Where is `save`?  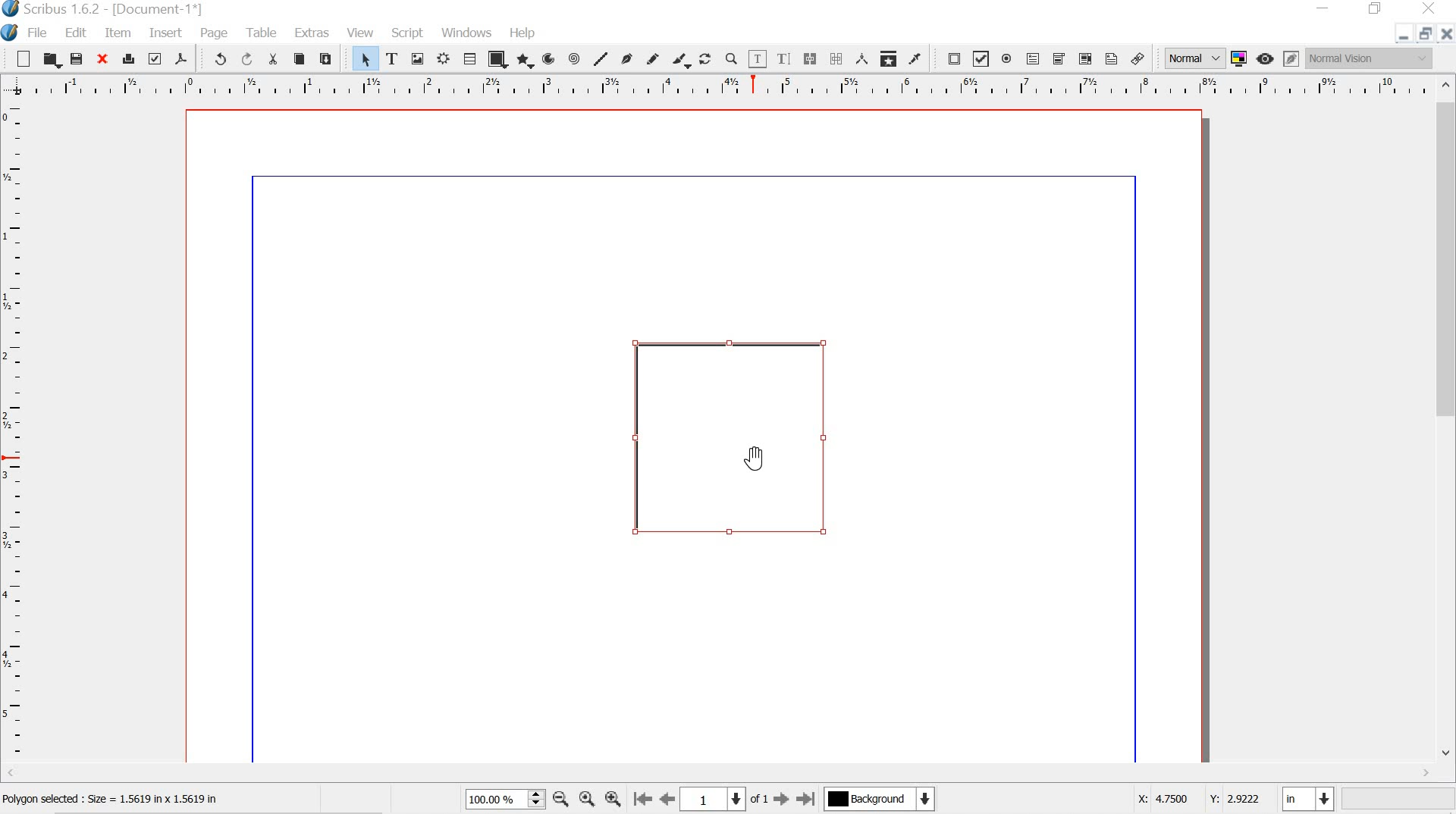 save is located at coordinates (78, 58).